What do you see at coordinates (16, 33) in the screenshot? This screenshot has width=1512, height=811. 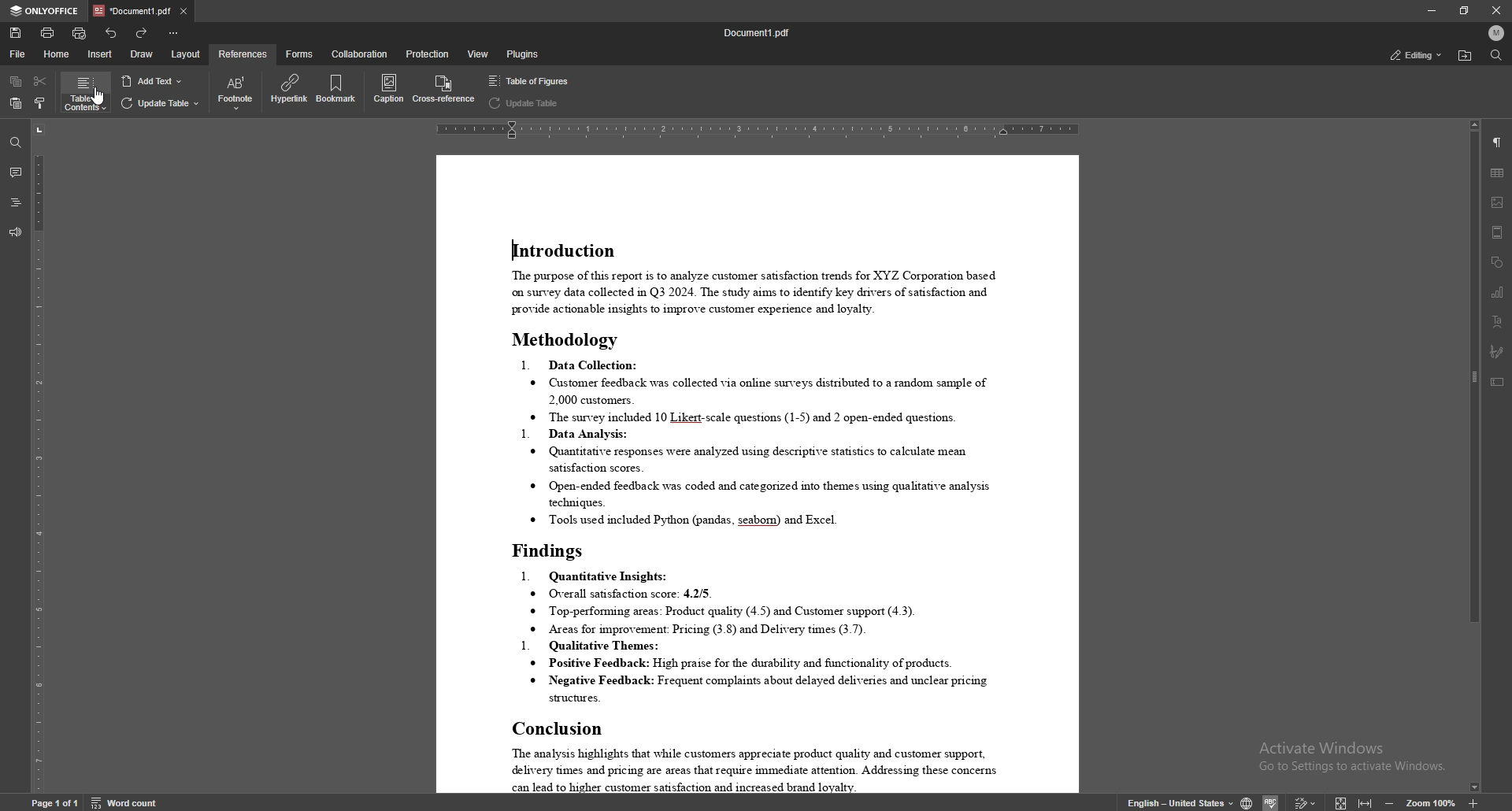 I see `save` at bounding box center [16, 33].